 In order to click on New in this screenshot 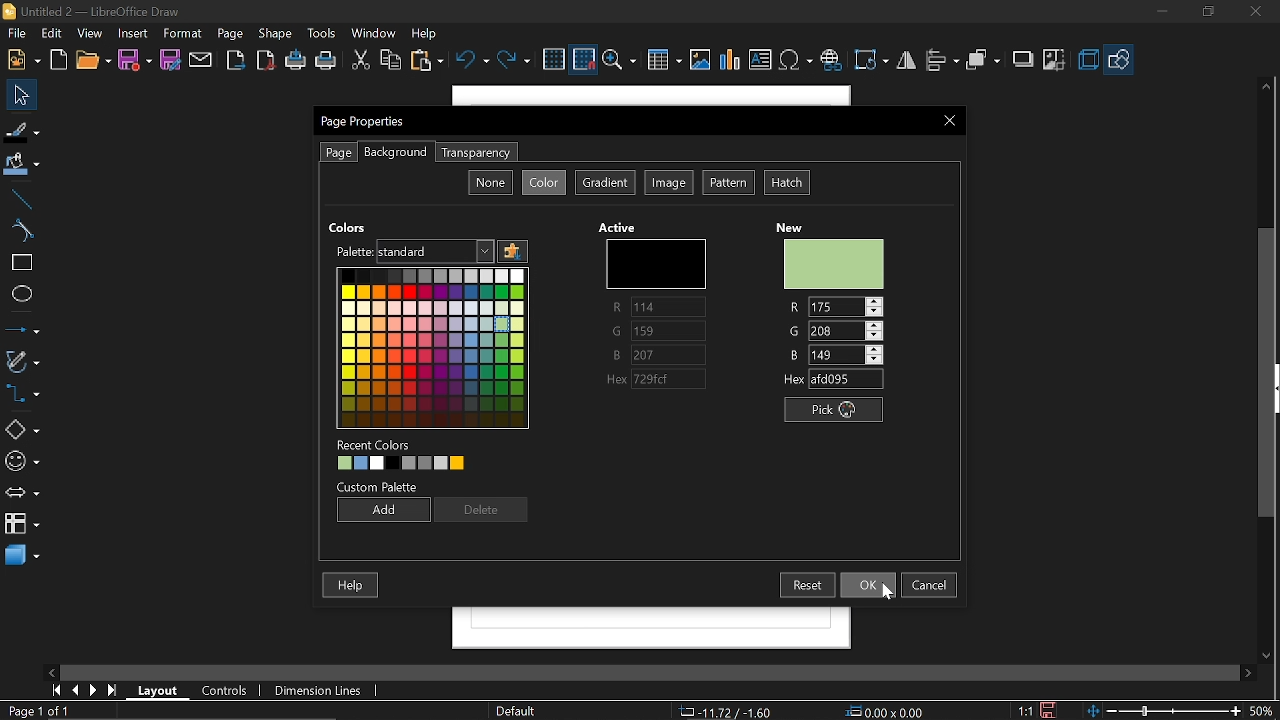, I will do `click(24, 60)`.